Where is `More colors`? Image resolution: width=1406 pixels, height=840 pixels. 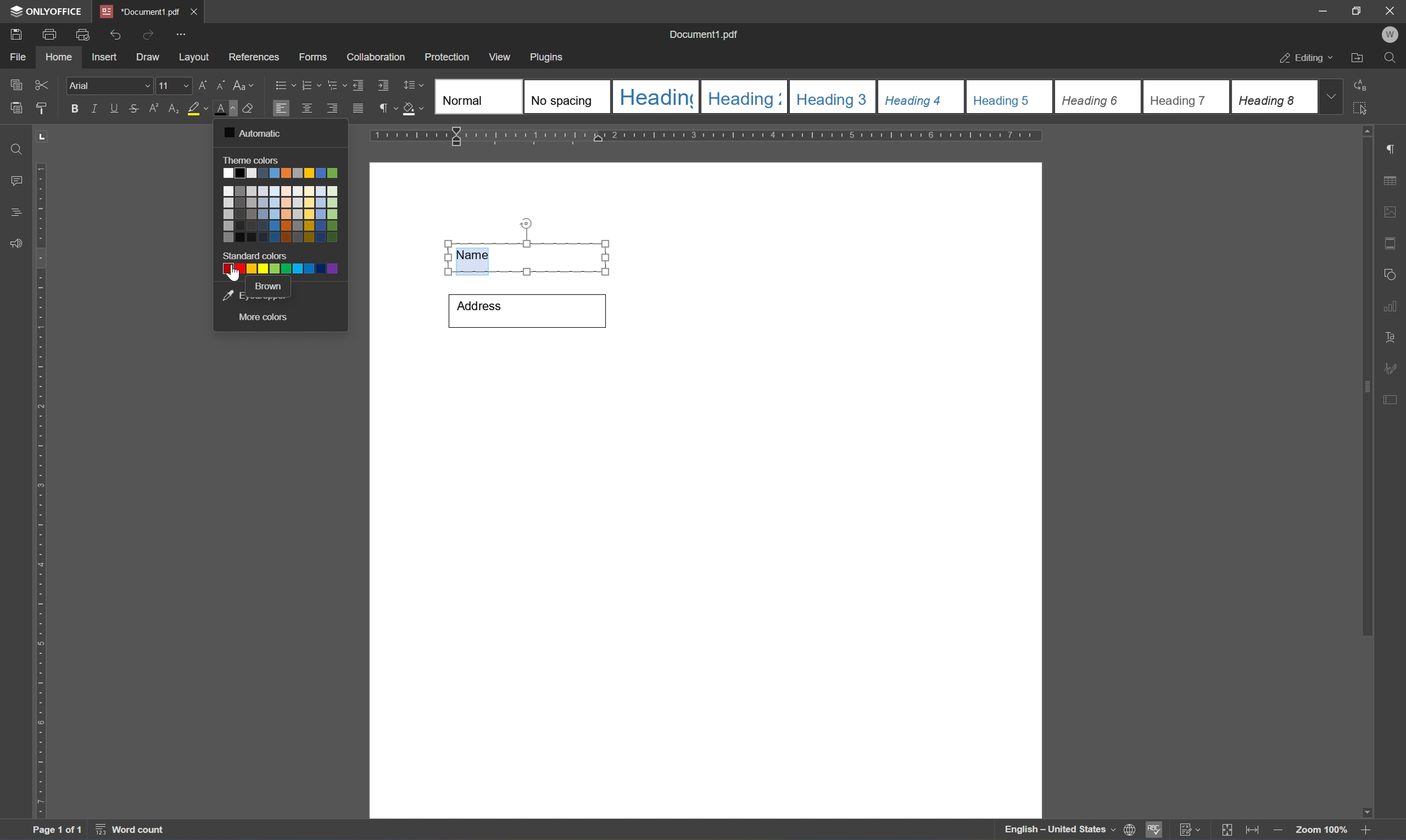
More colors is located at coordinates (264, 318).